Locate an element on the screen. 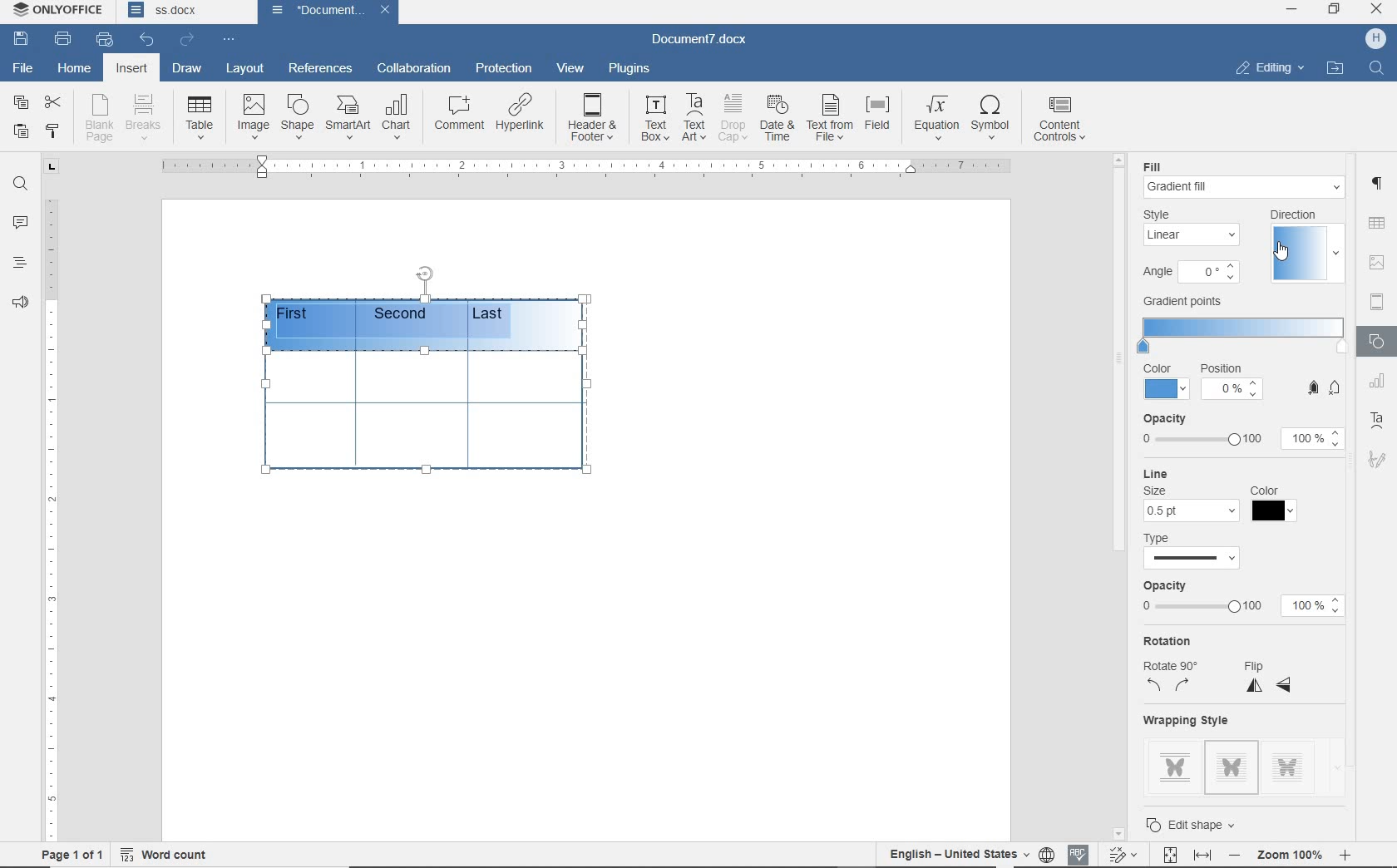  system name is located at coordinates (59, 11).